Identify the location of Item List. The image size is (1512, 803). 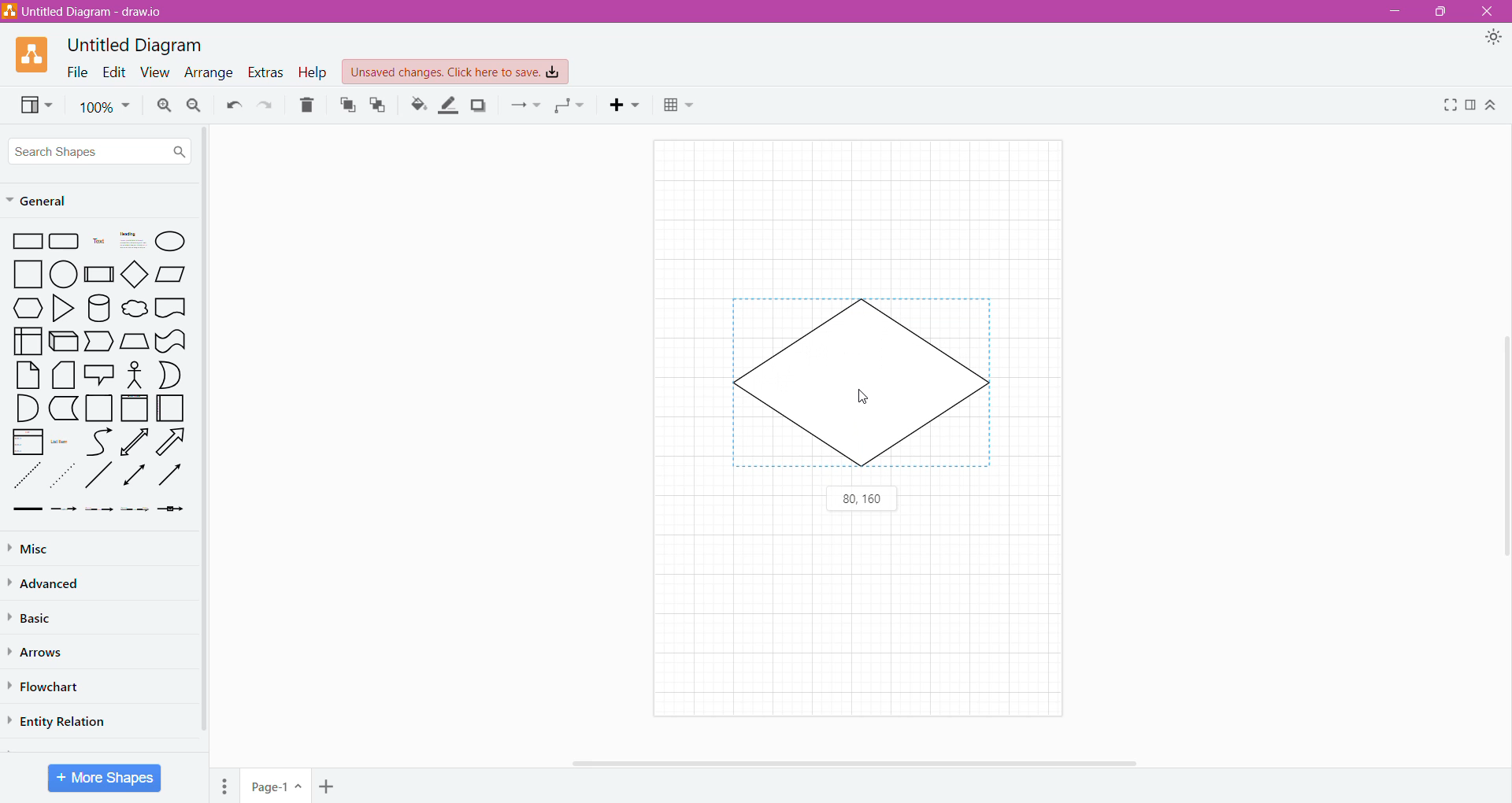
(28, 442).